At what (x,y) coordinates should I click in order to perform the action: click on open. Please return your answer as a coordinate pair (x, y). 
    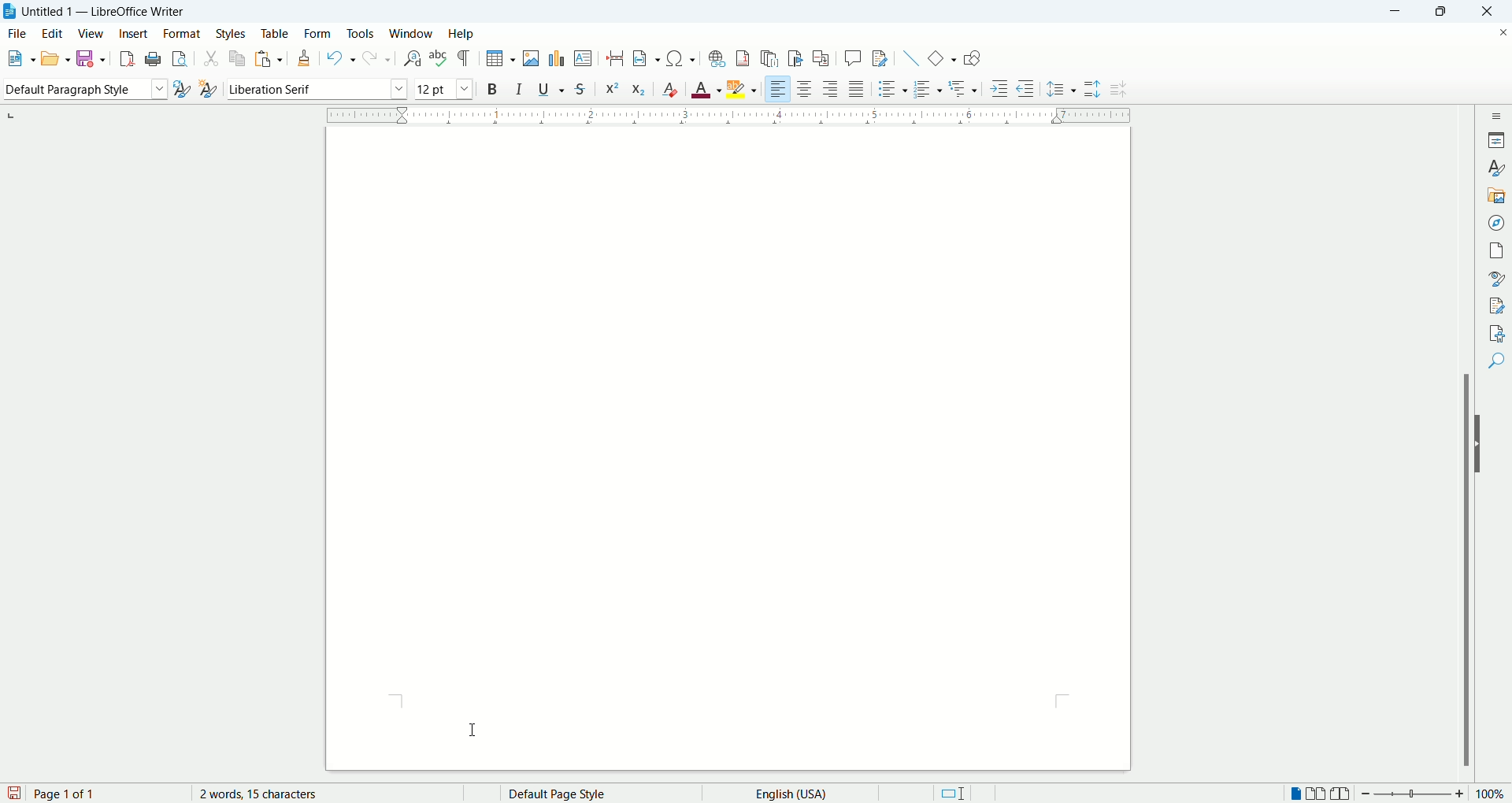
    Looking at the image, I should click on (17, 60).